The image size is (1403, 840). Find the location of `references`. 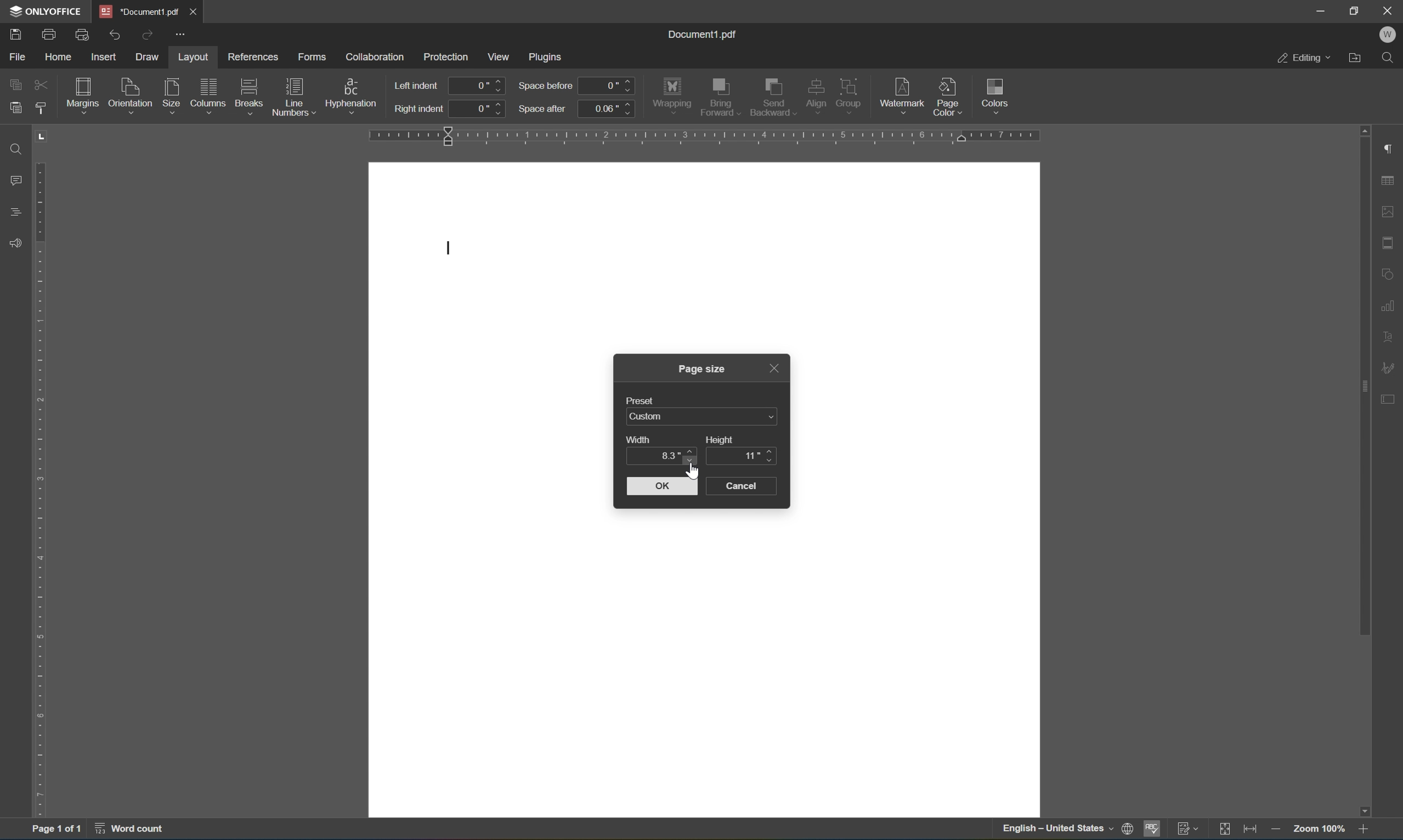

references is located at coordinates (254, 58).